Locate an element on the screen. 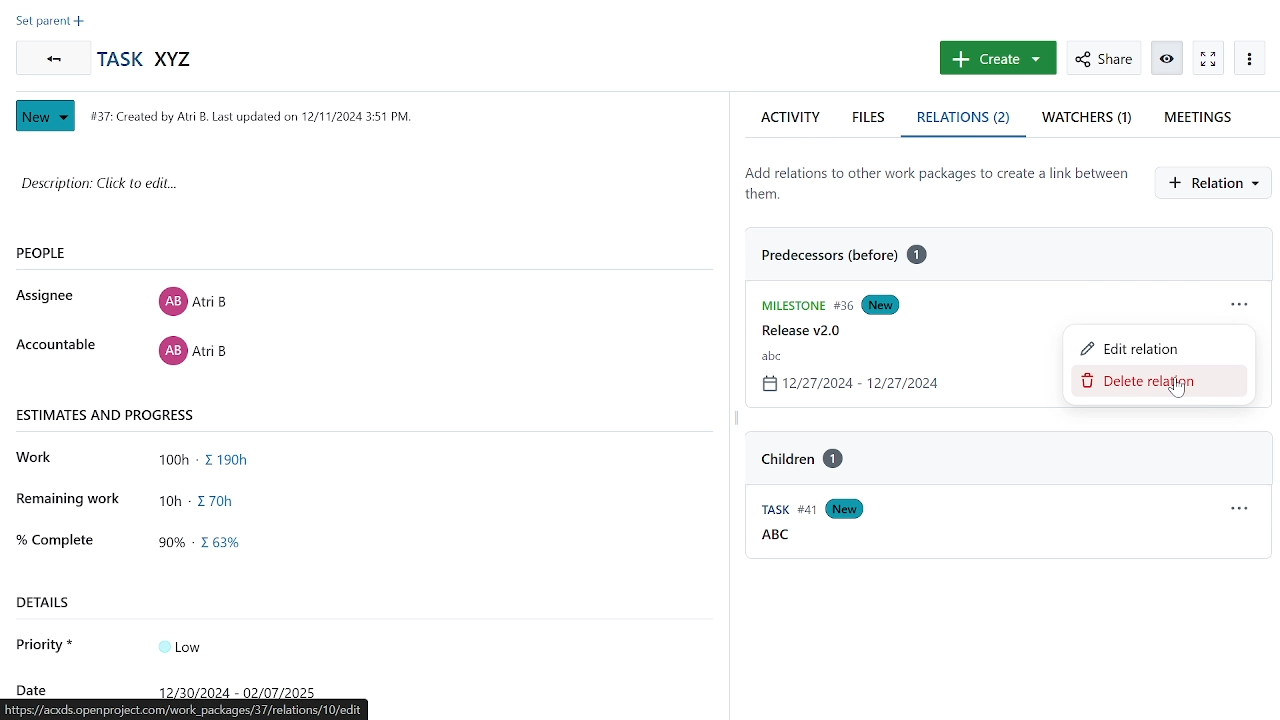  #37: Created by Atri B last updated on 12/11/2024 3:51 Pm is located at coordinates (249, 116).